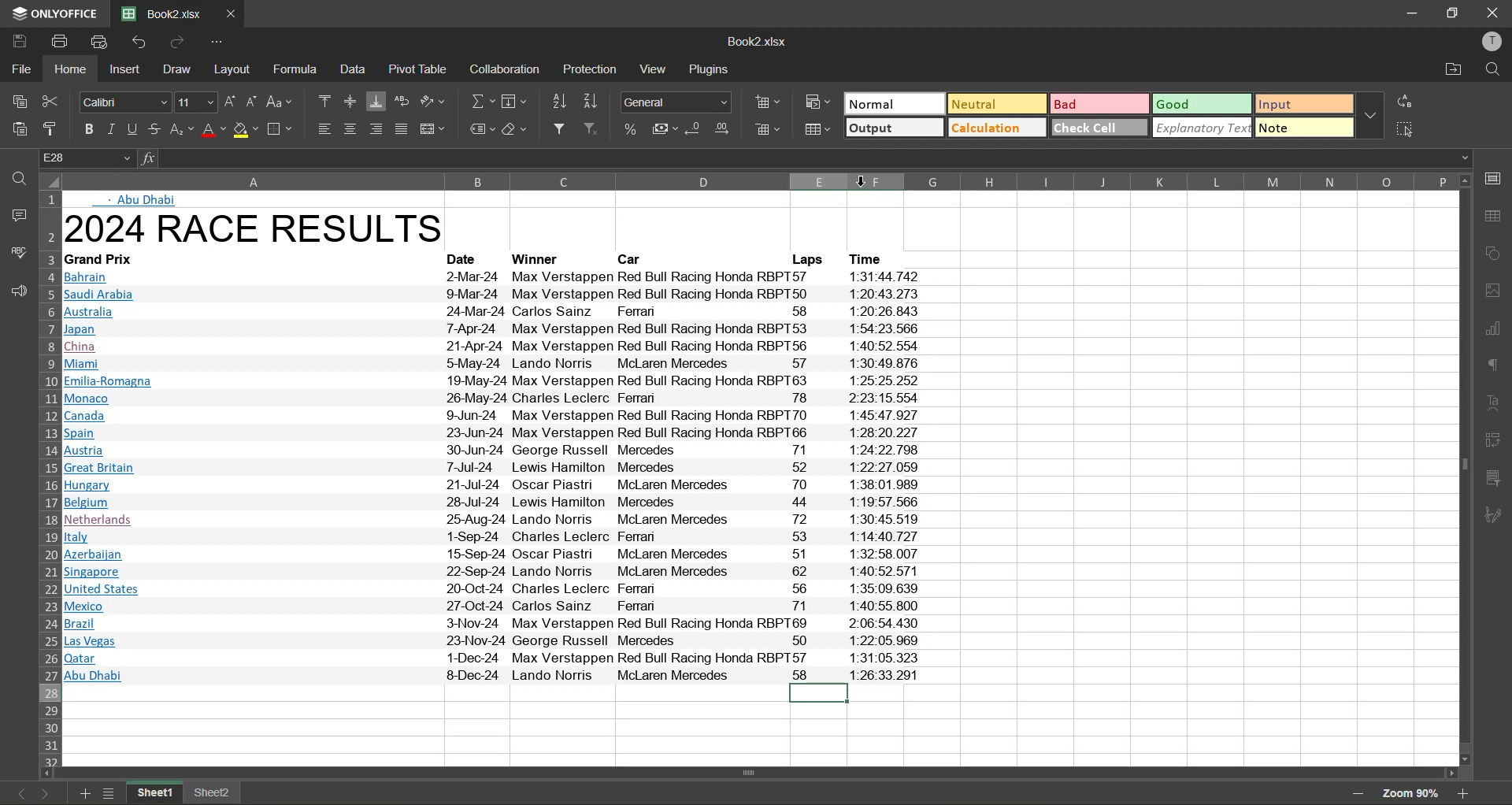 This screenshot has width=1512, height=805. What do you see at coordinates (728, 127) in the screenshot?
I see `increase decimal` at bounding box center [728, 127].